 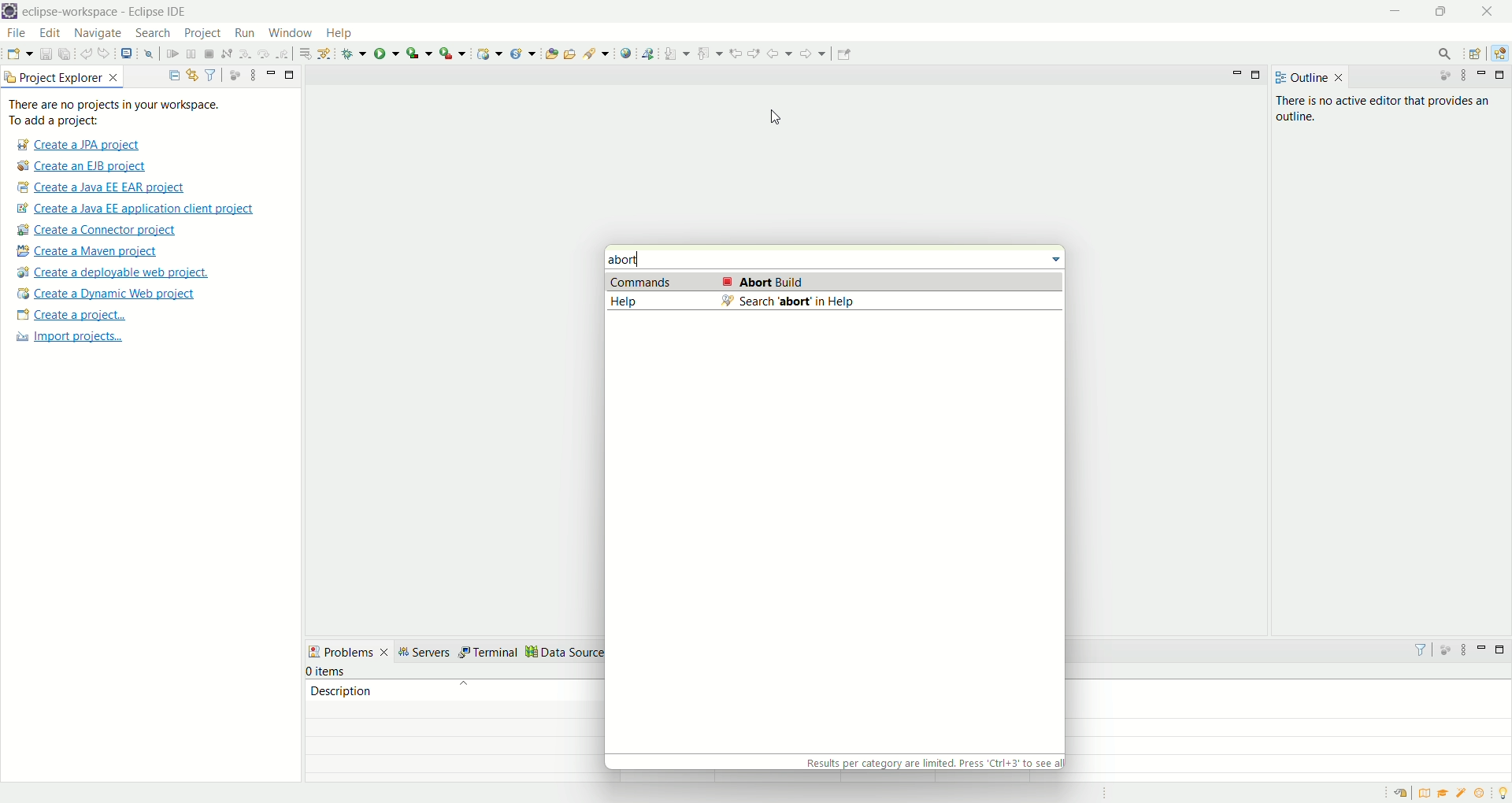 I want to click on import projects, so click(x=76, y=339).